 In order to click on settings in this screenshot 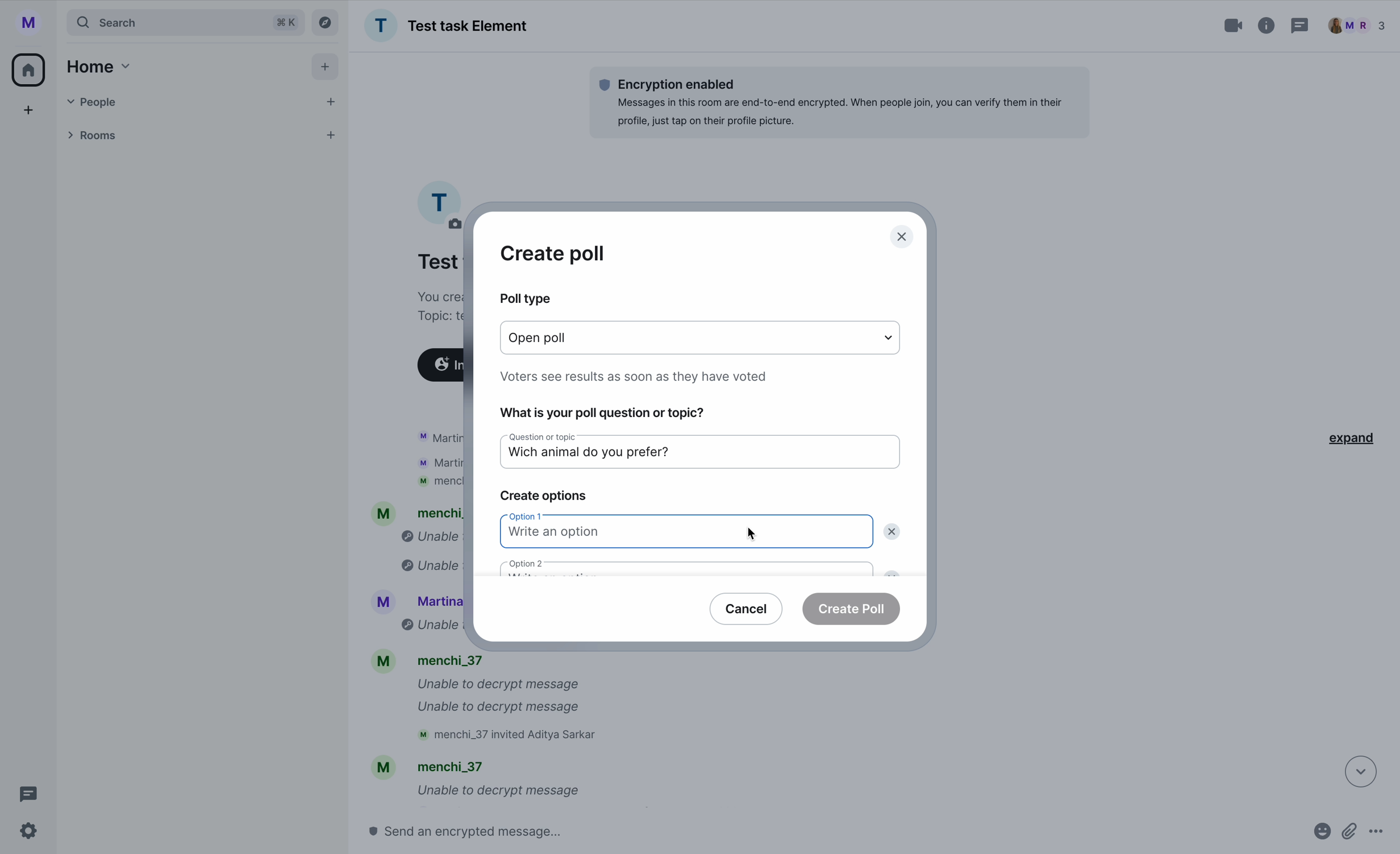, I will do `click(30, 832)`.